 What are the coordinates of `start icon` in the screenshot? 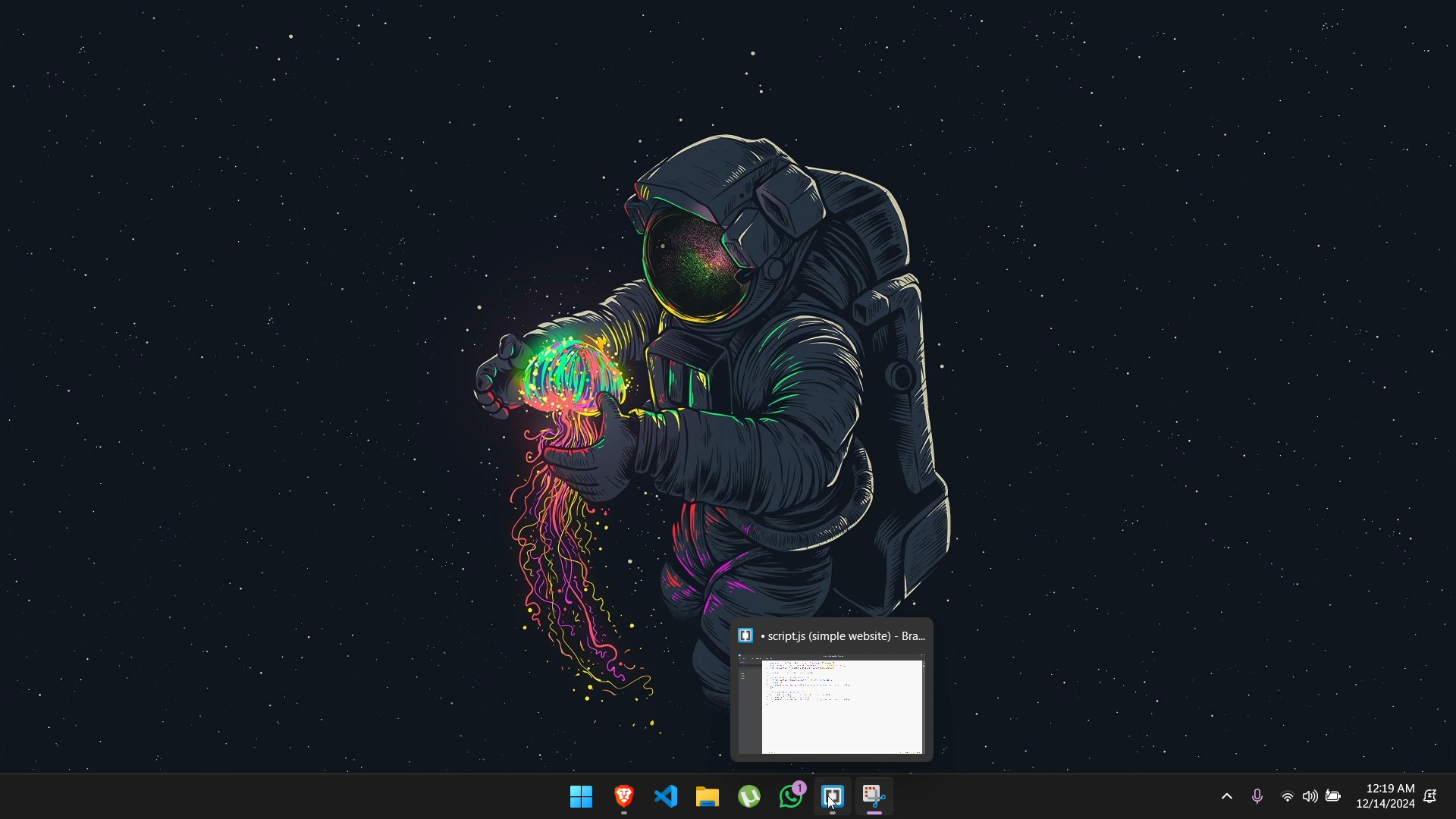 It's located at (582, 796).